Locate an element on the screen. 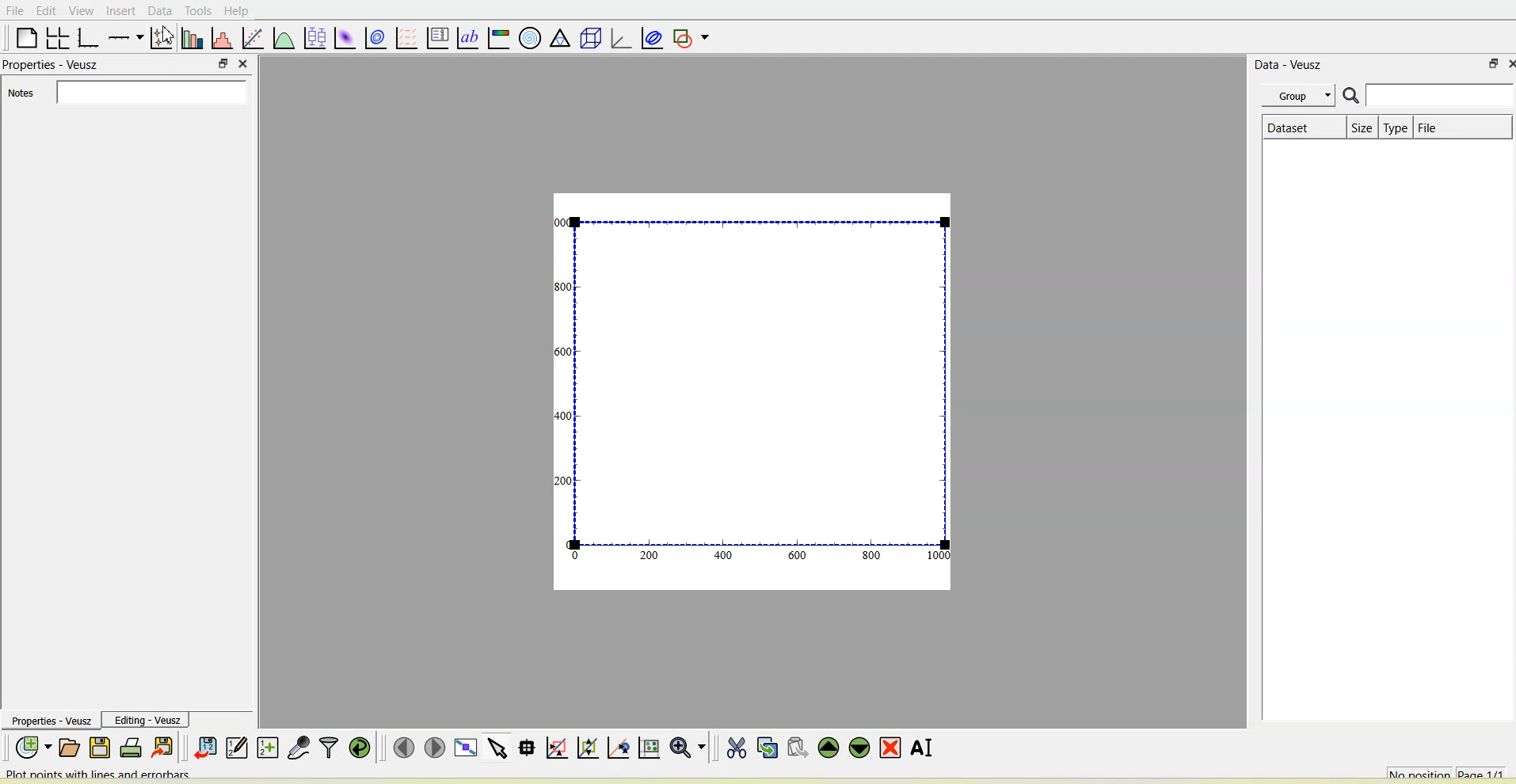 The image size is (1516, 784). float panel is located at coordinates (1488, 64).